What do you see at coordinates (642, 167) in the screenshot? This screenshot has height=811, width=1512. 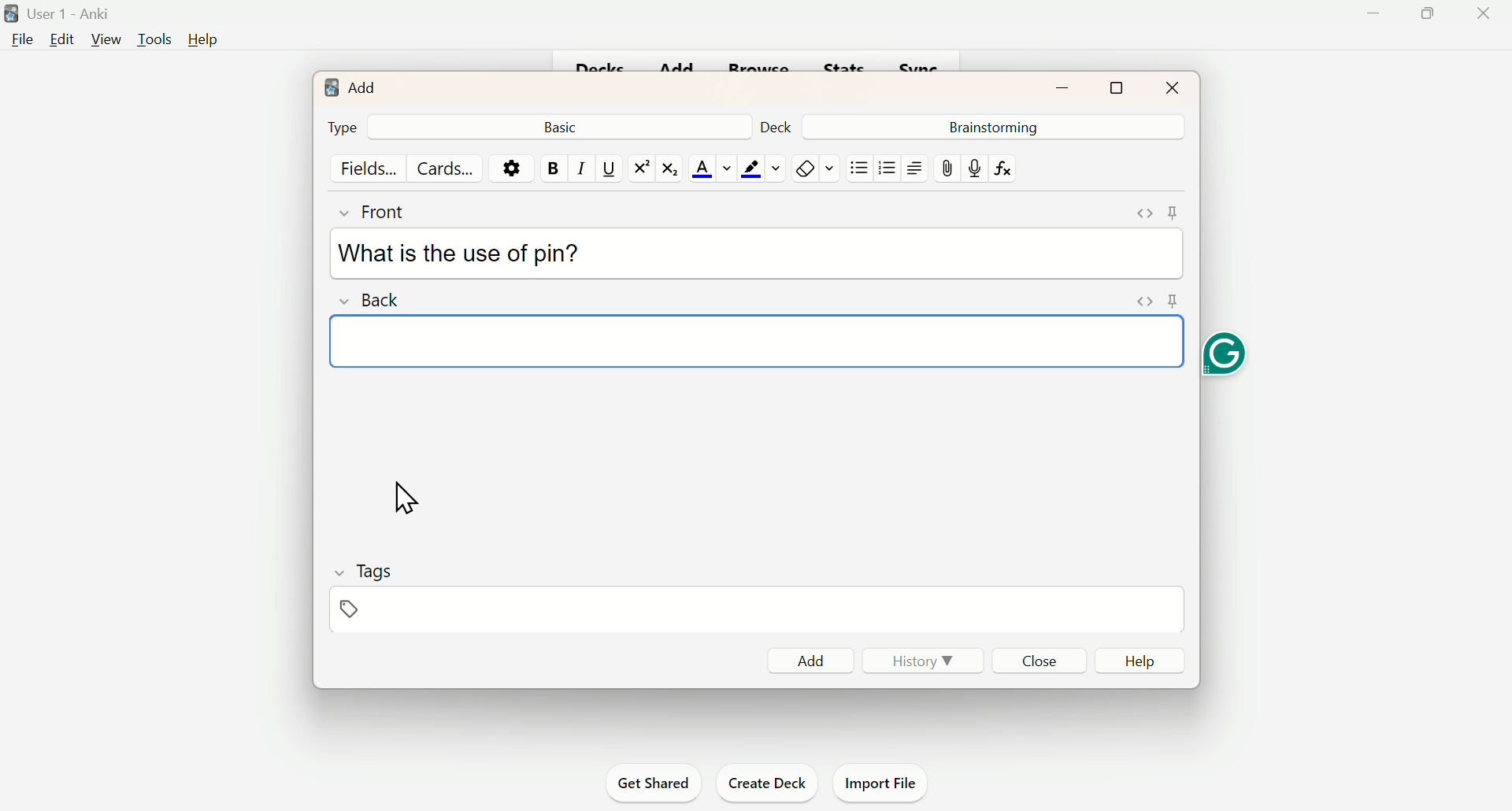 I see `` at bounding box center [642, 167].